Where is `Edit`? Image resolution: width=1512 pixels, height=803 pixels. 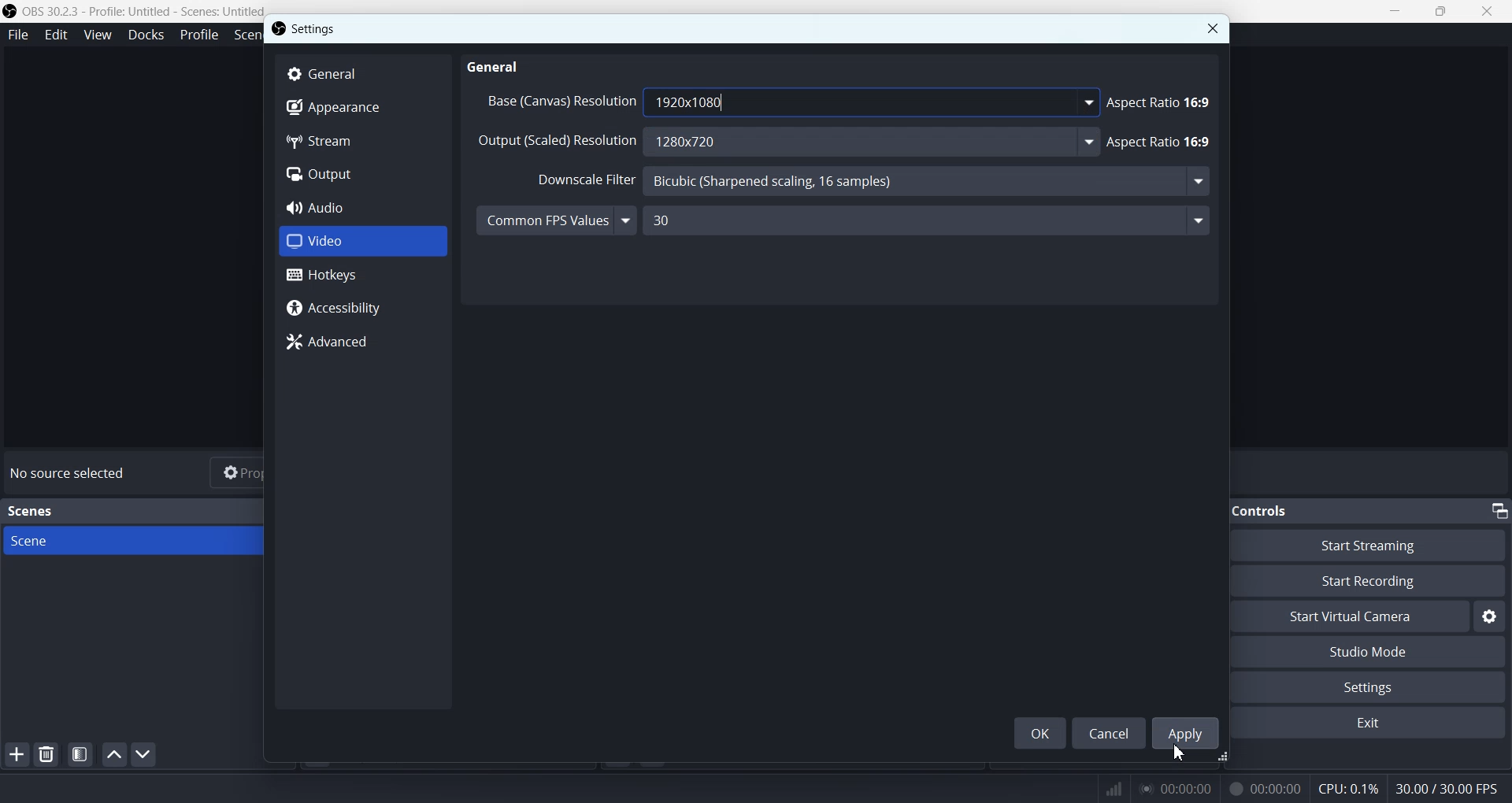 Edit is located at coordinates (56, 35).